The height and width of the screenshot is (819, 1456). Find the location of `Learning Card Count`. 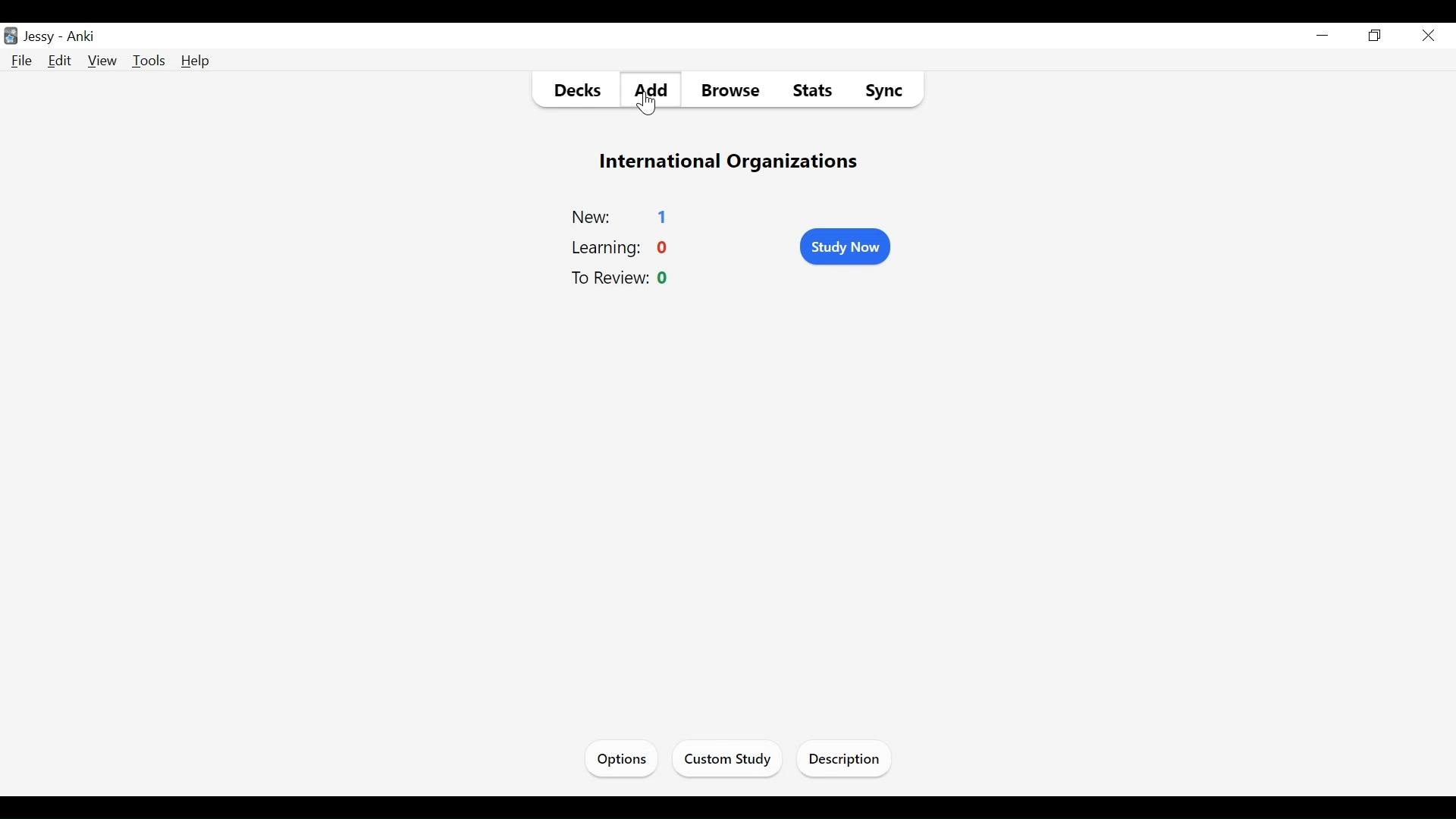

Learning Card Count is located at coordinates (664, 249).